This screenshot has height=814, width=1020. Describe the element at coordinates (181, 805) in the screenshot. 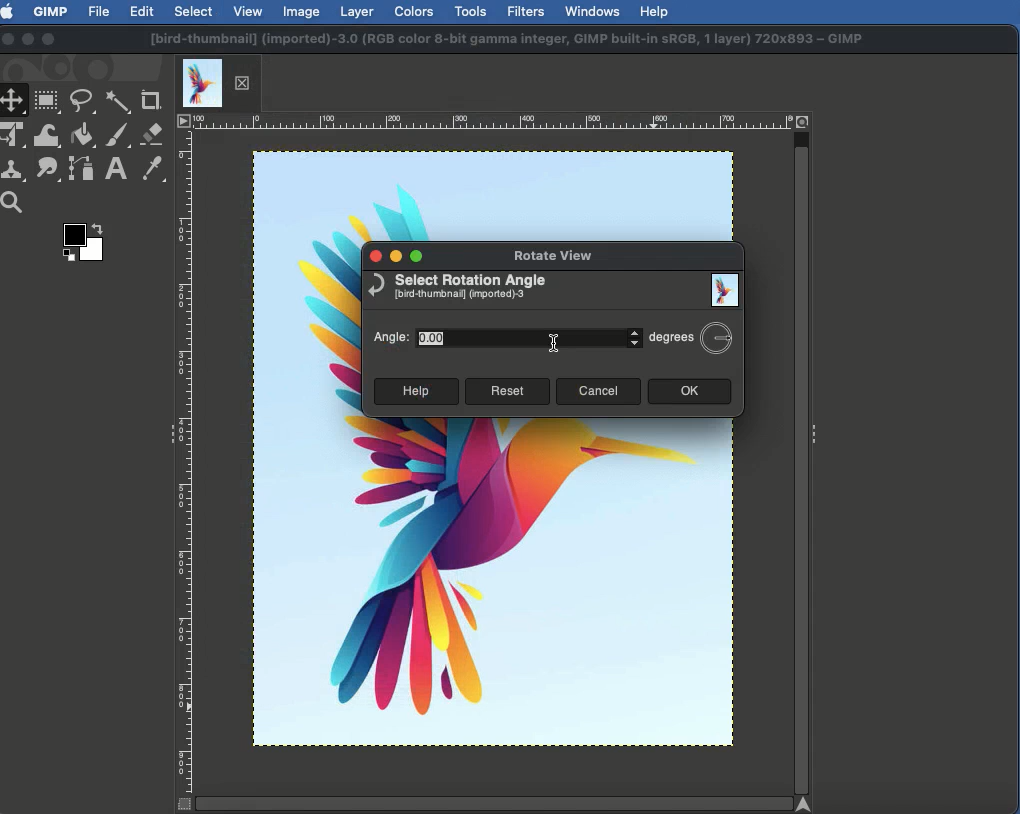

I see `Quick view mask on/off` at that location.